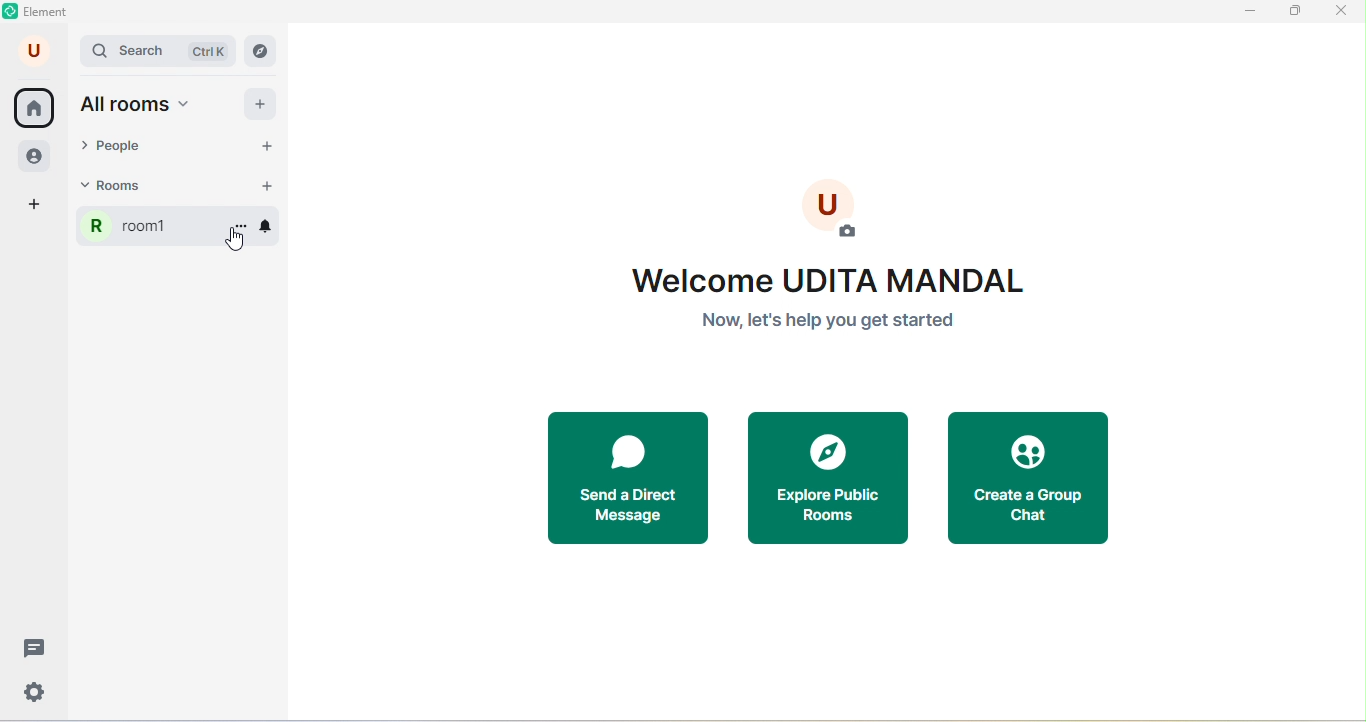  I want to click on rooms, so click(132, 190).